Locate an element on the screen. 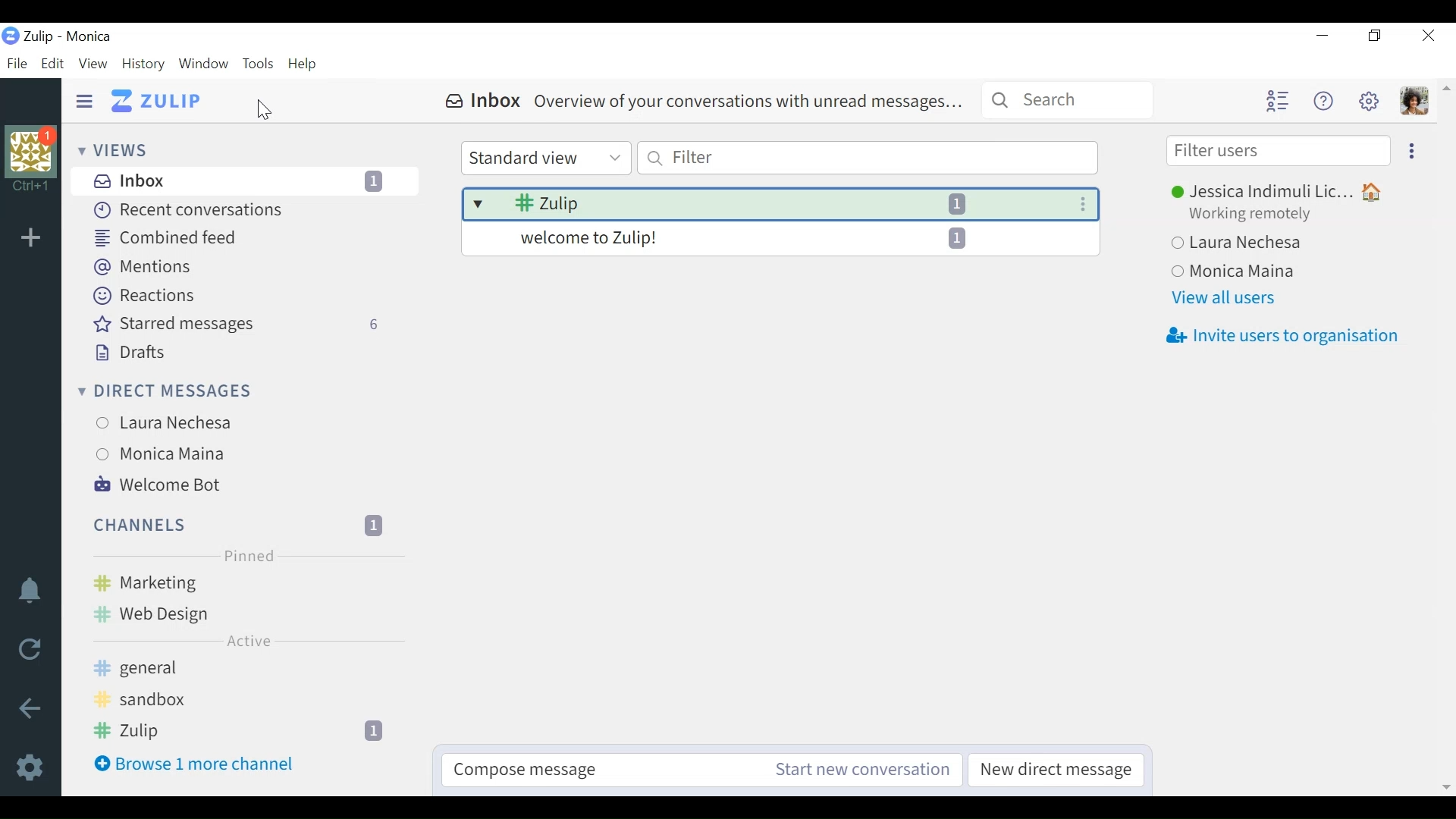  Channel is located at coordinates (246, 672).